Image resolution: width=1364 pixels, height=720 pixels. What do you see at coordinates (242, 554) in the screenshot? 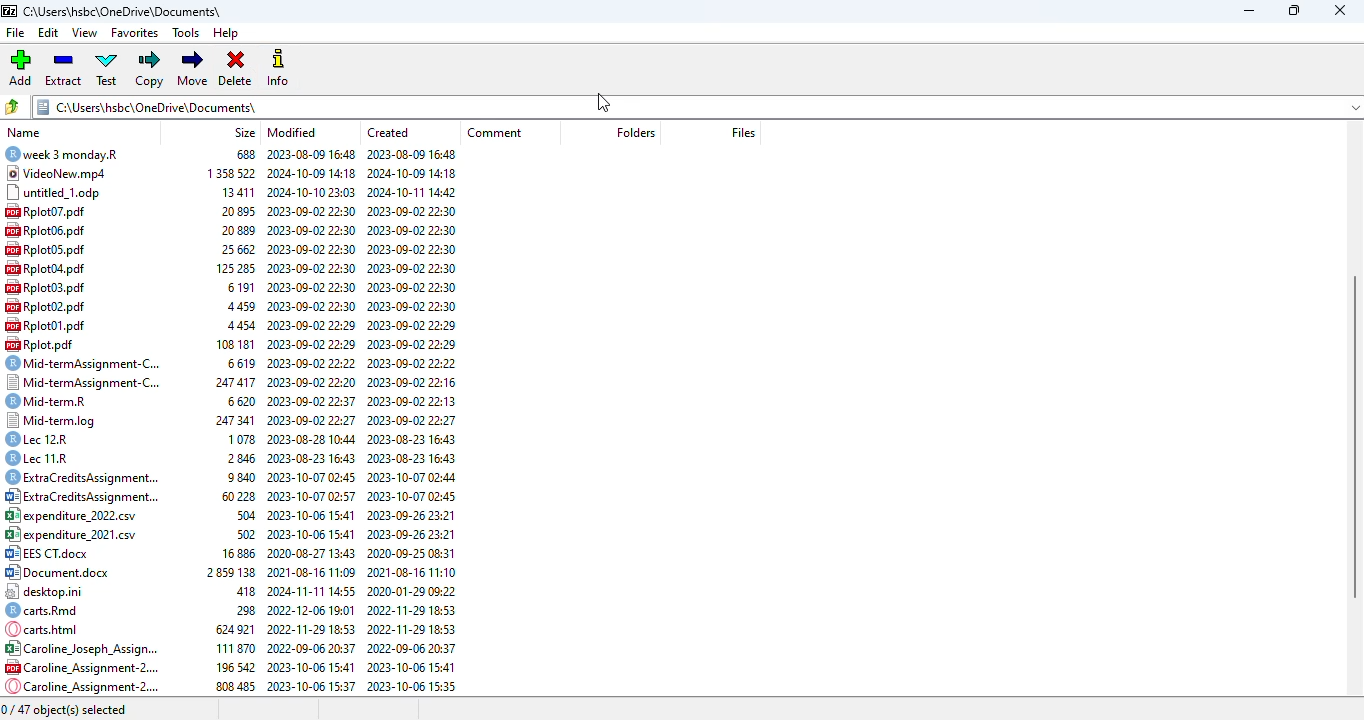
I see `16 886` at bounding box center [242, 554].